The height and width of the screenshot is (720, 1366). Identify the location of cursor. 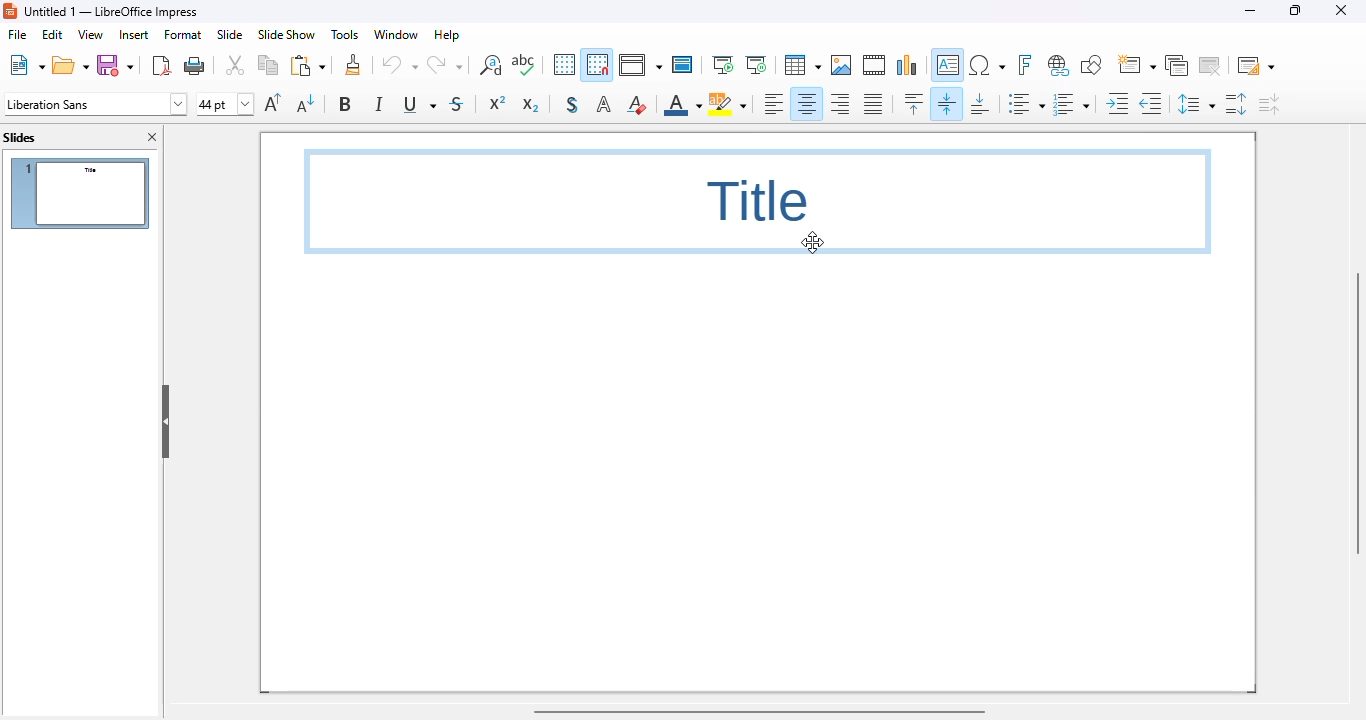
(813, 241).